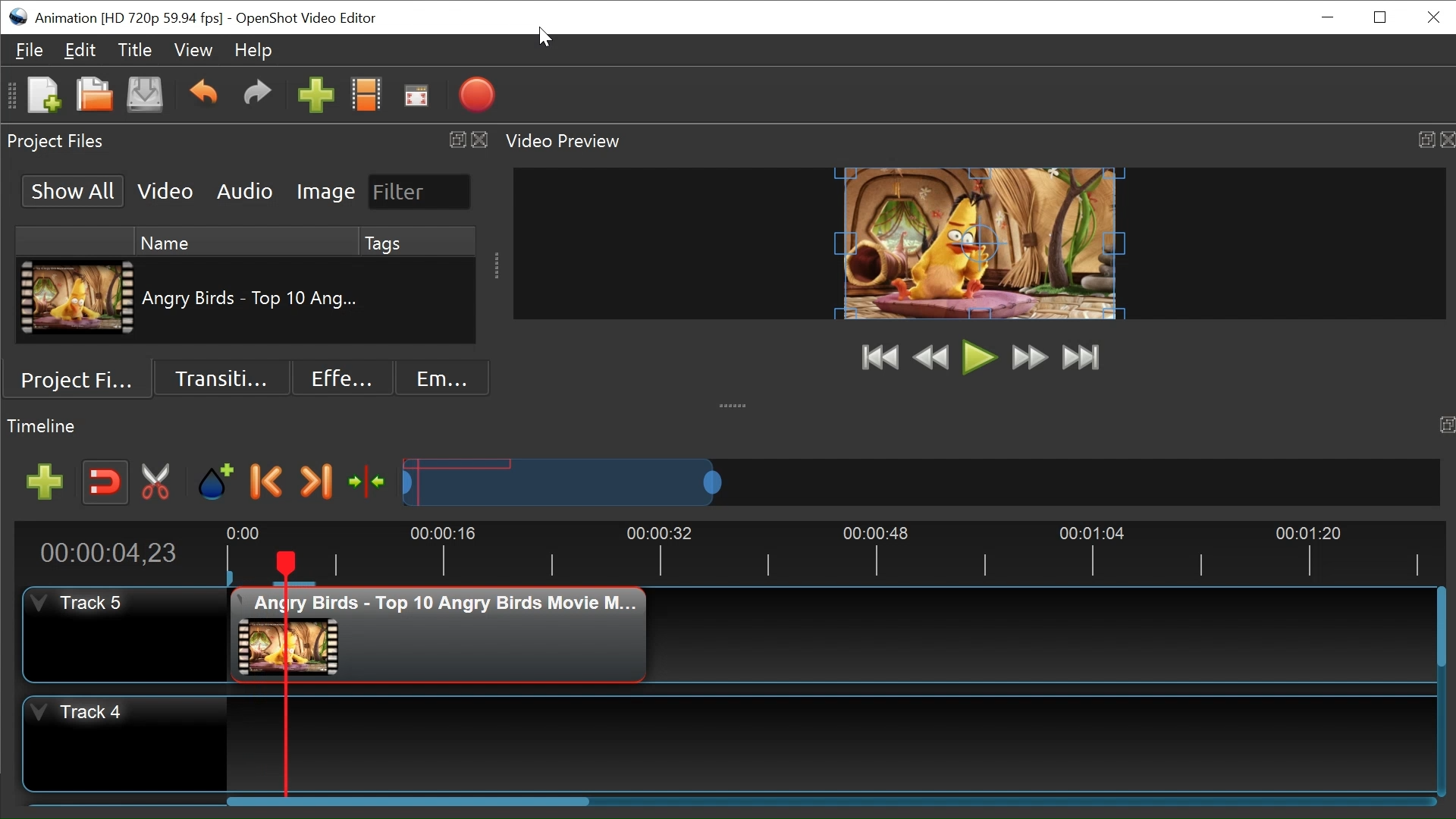 This screenshot has width=1456, height=819. Describe the element at coordinates (267, 482) in the screenshot. I see `Previous Marker` at that location.